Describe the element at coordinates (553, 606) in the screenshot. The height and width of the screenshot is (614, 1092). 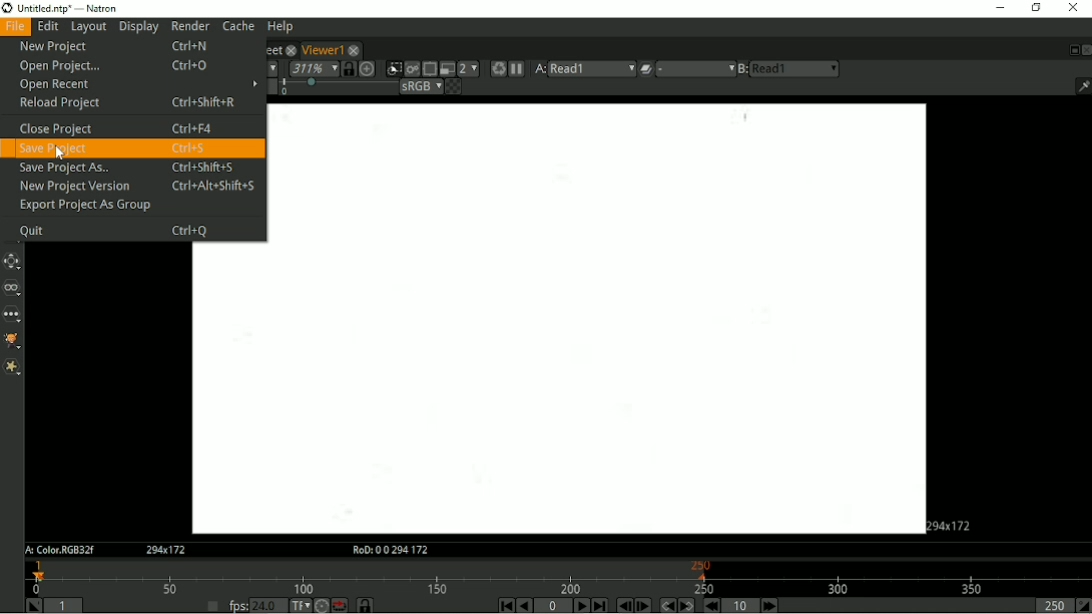
I see `Current frame` at that location.